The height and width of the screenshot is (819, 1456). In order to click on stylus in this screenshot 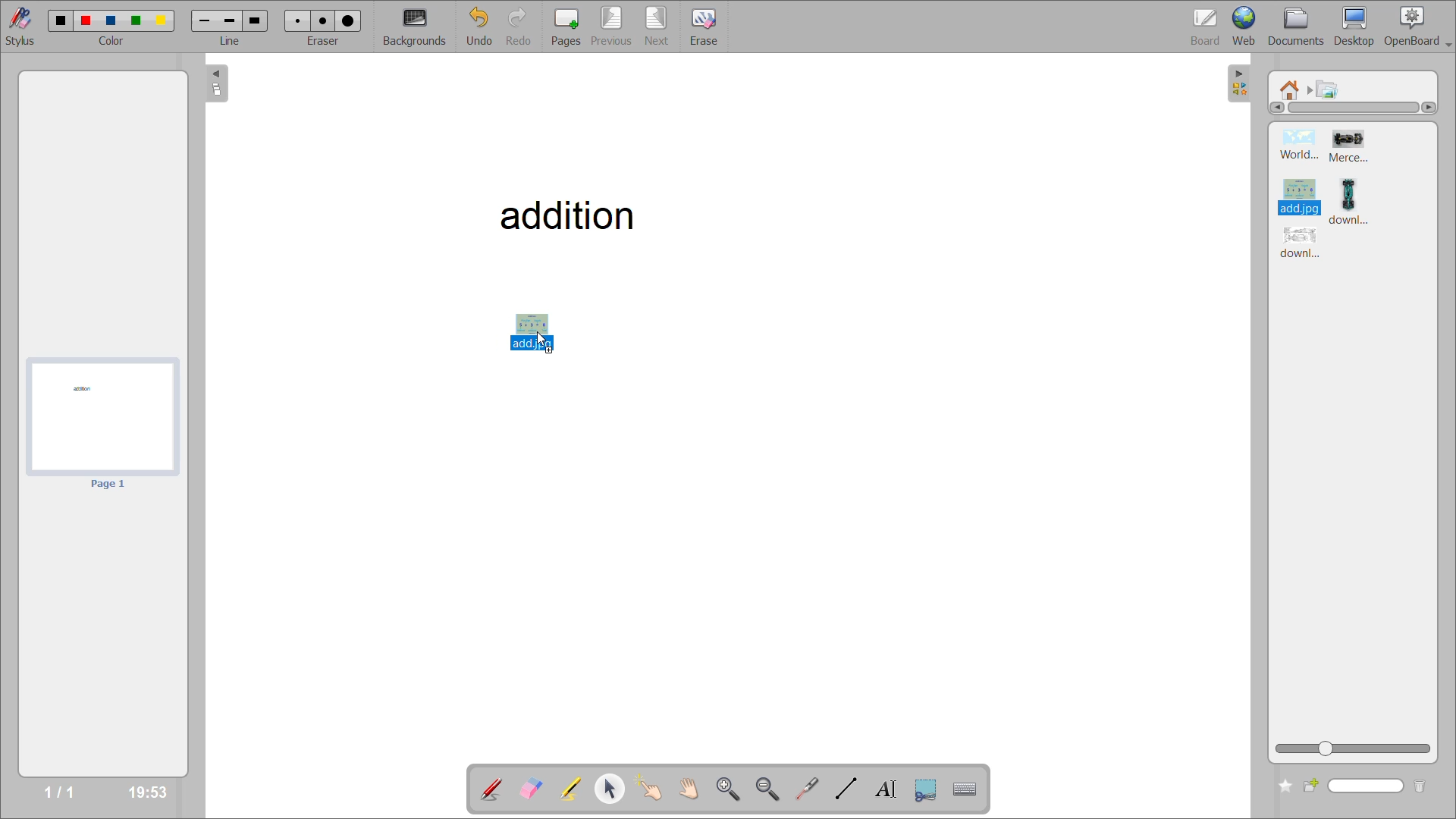, I will do `click(18, 24)`.